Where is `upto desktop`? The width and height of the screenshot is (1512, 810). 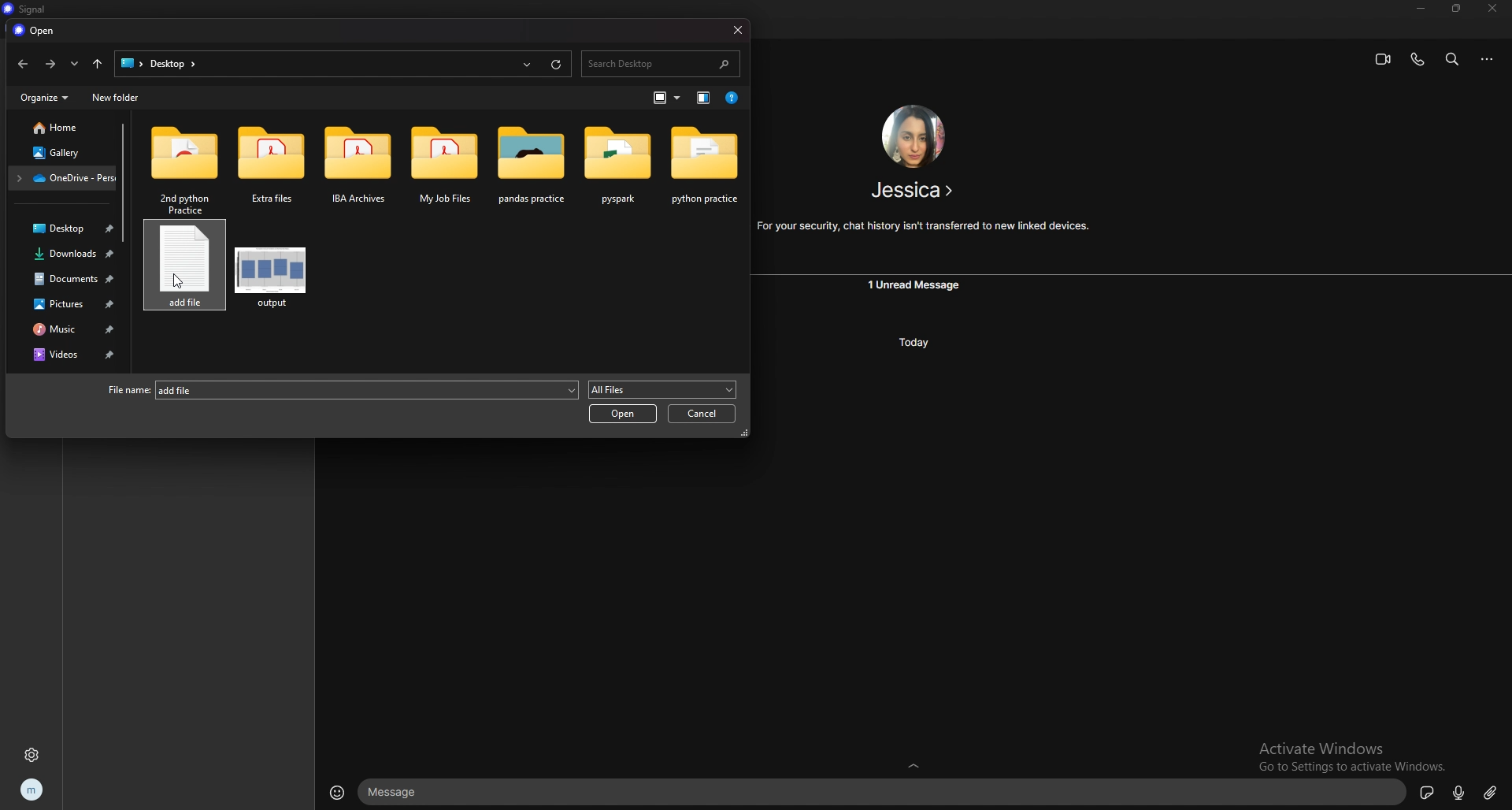
upto desktop is located at coordinates (98, 64).